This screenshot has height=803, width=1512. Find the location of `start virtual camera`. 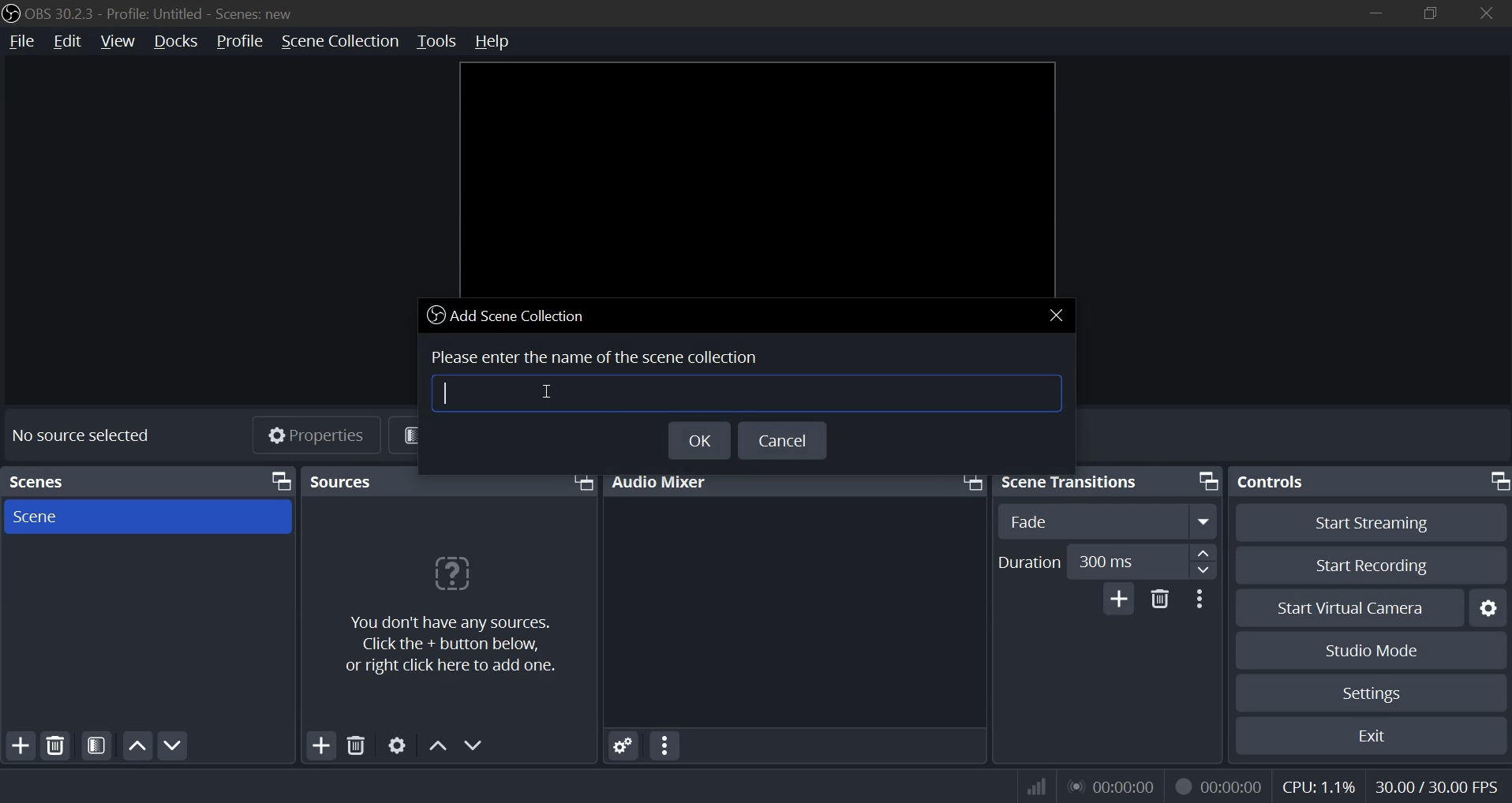

start virtual camera is located at coordinates (1350, 607).